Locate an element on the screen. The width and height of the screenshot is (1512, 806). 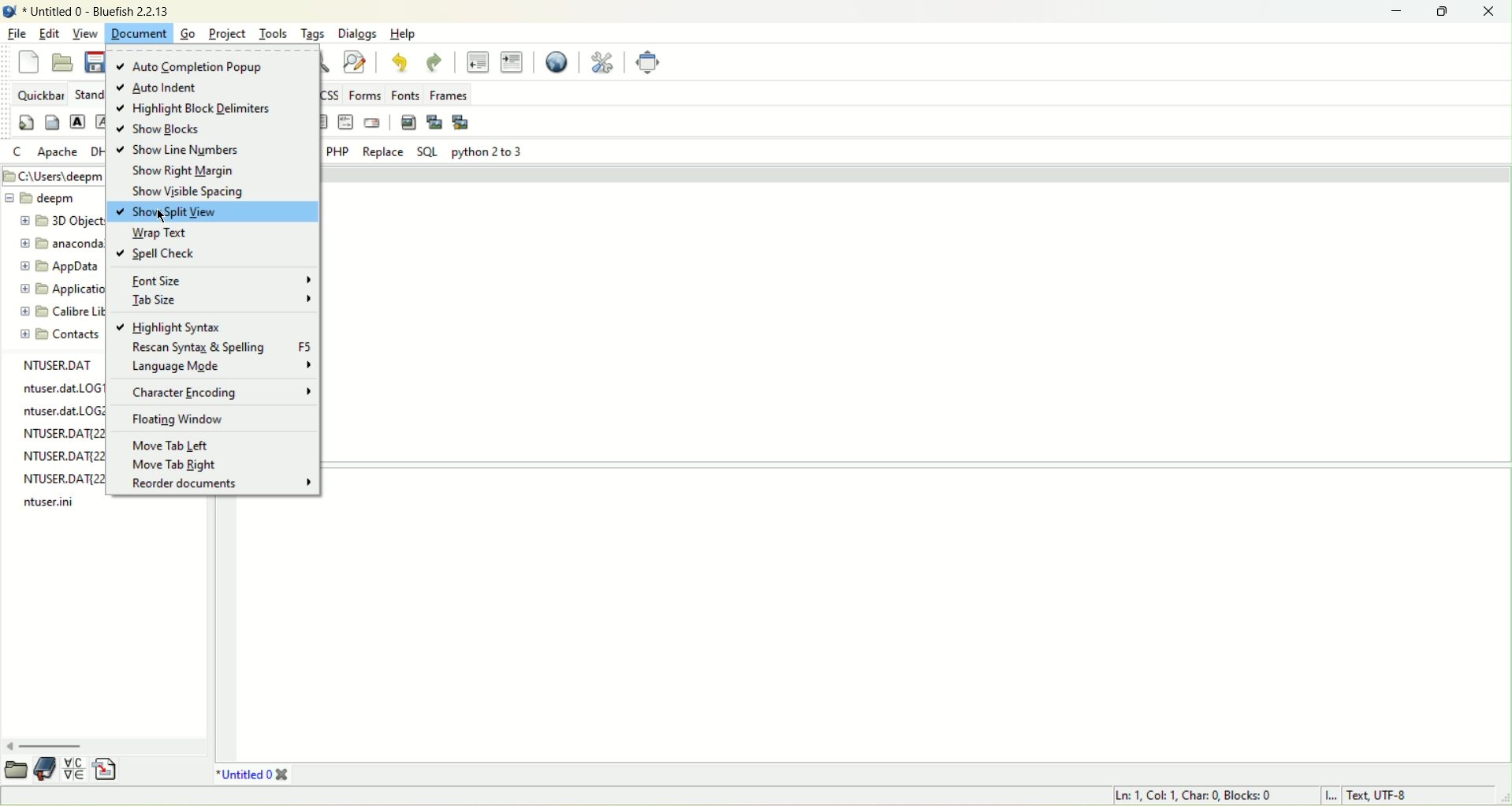
folder name is located at coordinates (56, 334).